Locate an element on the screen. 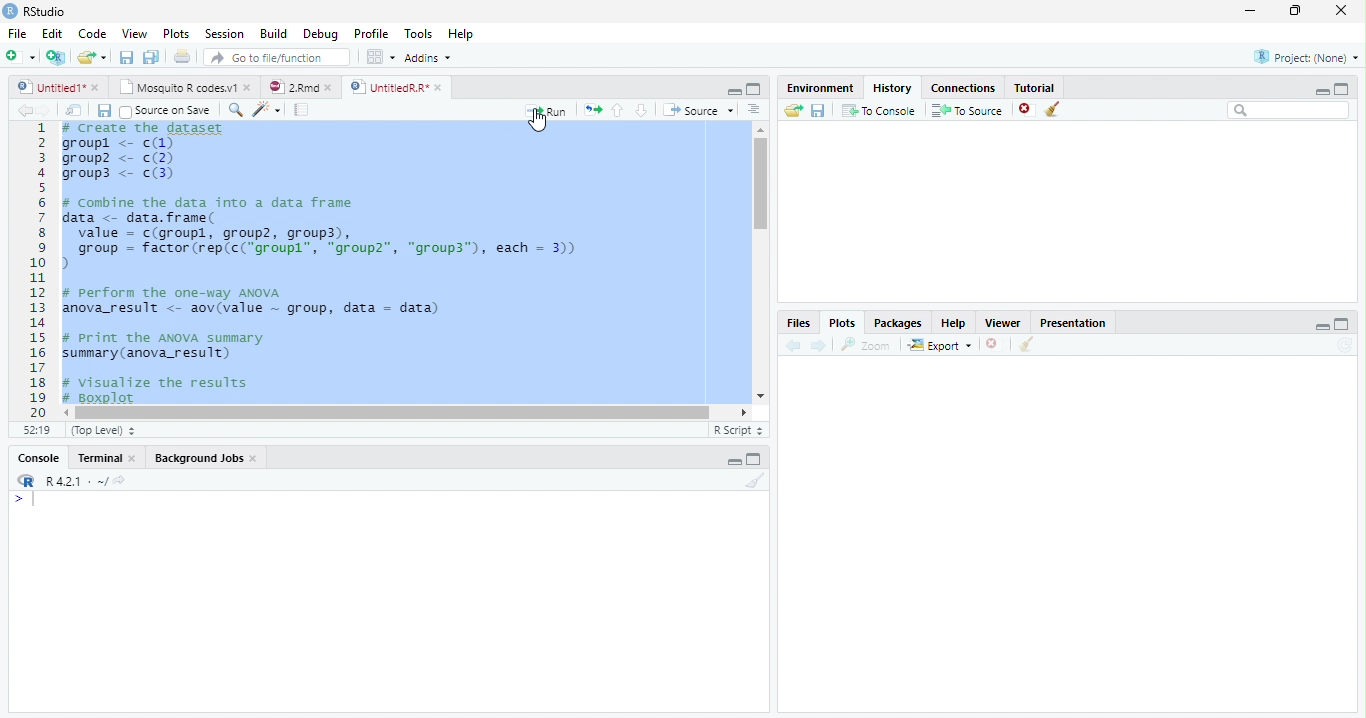  1:1 is located at coordinates (34, 430).